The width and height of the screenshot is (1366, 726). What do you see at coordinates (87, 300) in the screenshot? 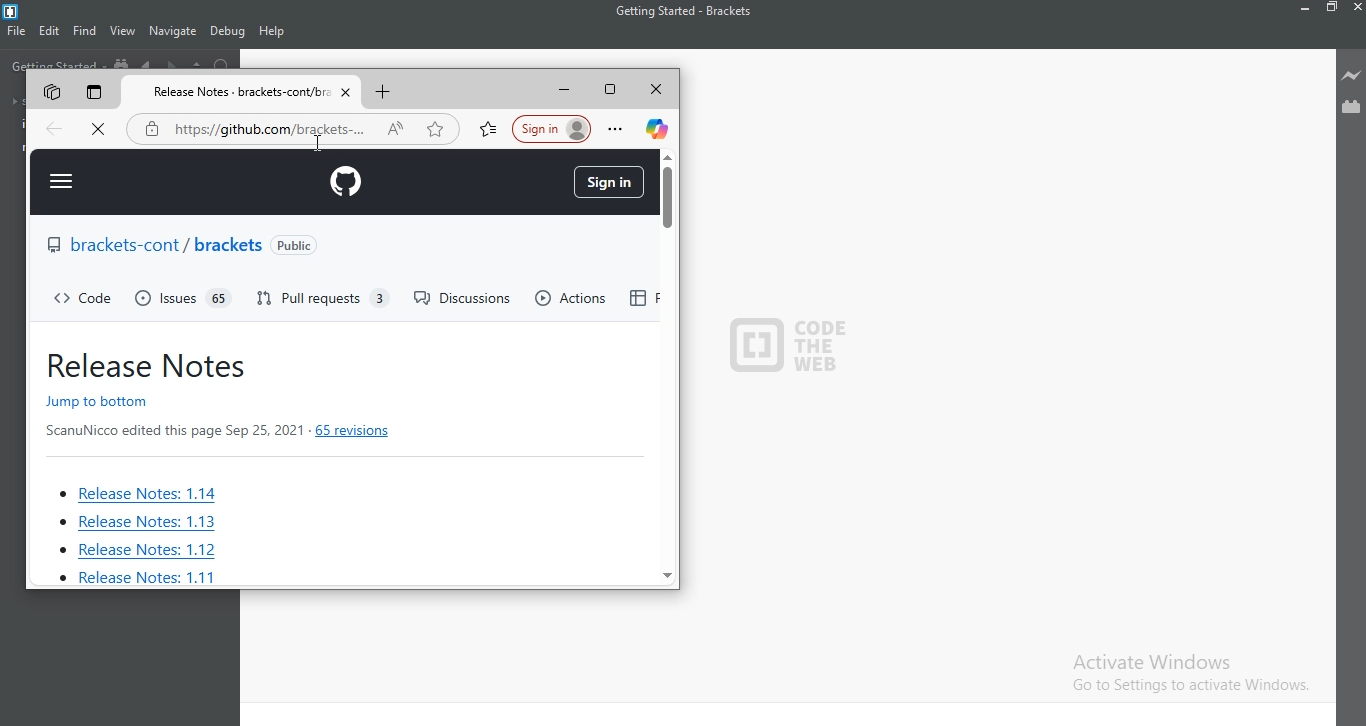
I see `code` at bounding box center [87, 300].